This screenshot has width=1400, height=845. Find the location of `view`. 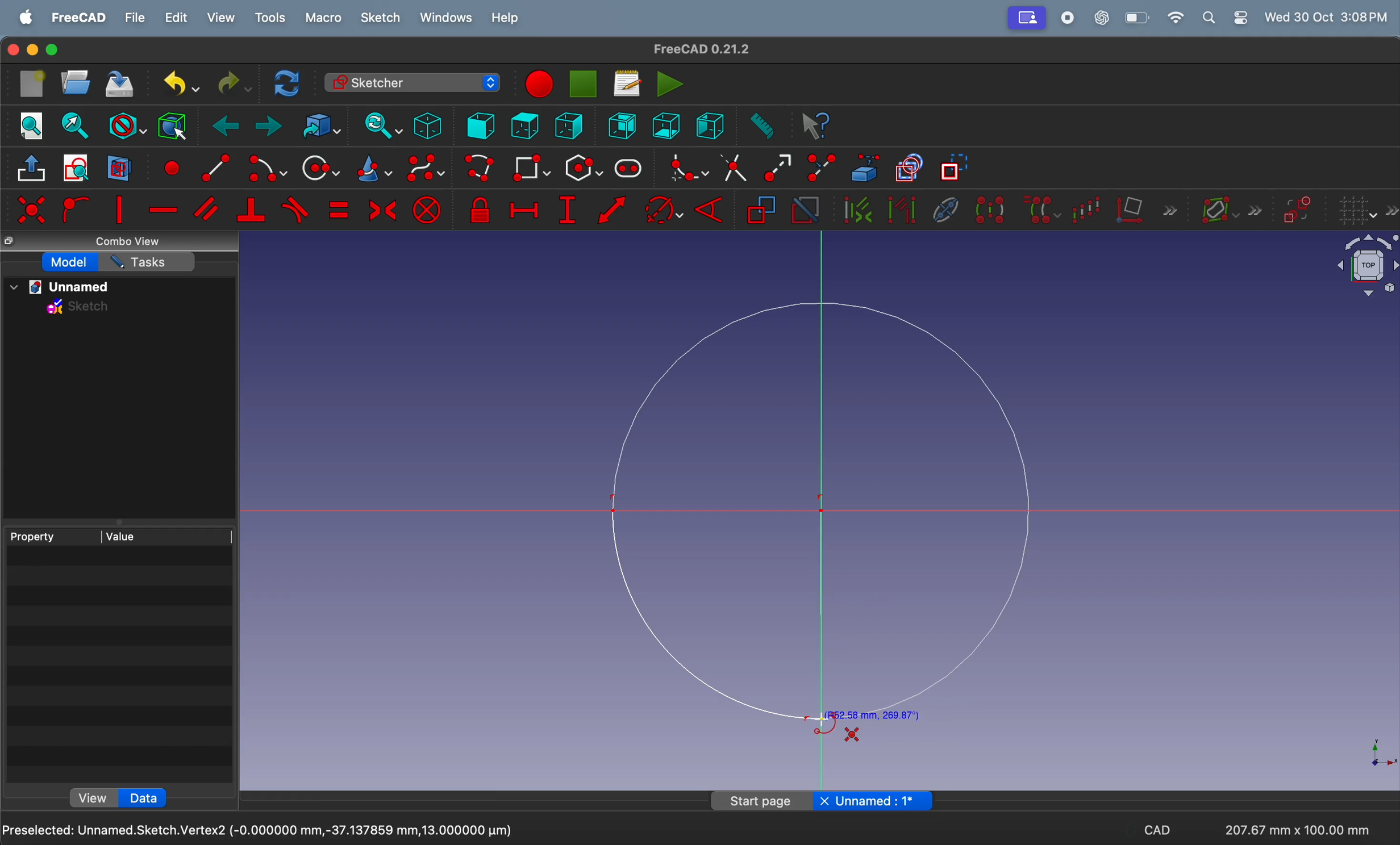

view is located at coordinates (95, 797).